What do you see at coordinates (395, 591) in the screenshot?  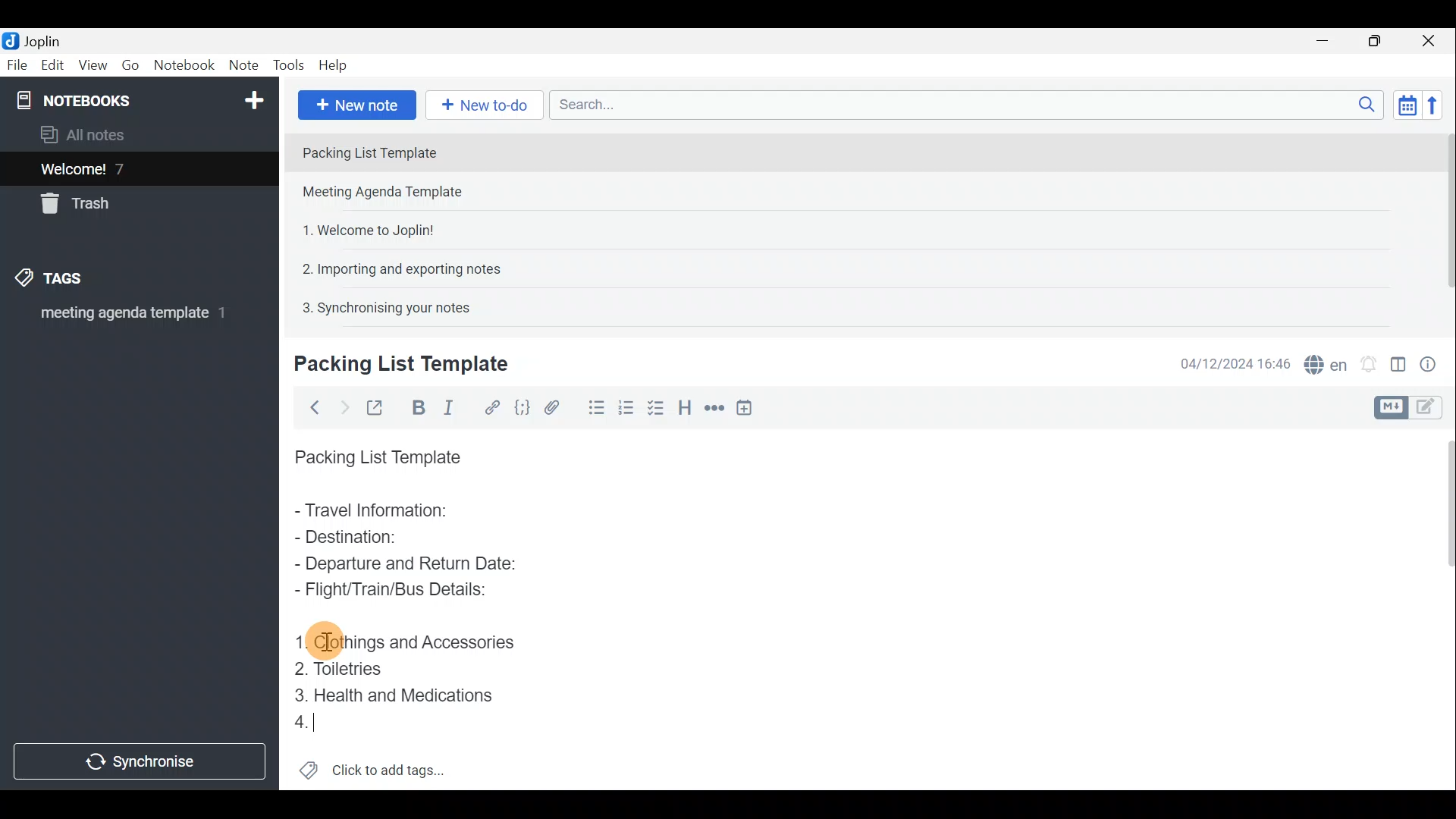 I see `Flight/Train/Bus Details:` at bounding box center [395, 591].